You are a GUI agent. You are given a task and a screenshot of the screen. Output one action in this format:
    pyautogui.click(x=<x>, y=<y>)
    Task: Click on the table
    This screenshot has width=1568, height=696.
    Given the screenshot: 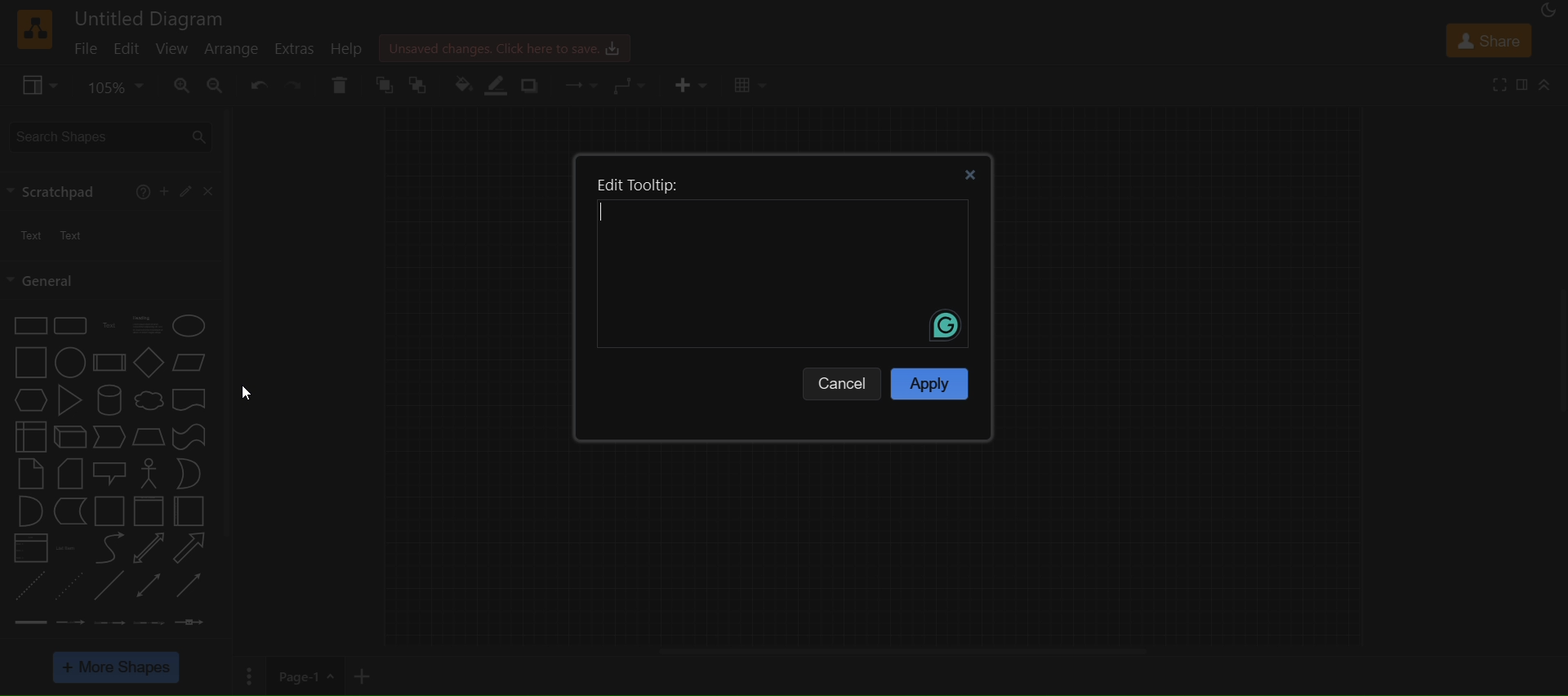 What is the action you would take?
    pyautogui.click(x=751, y=86)
    